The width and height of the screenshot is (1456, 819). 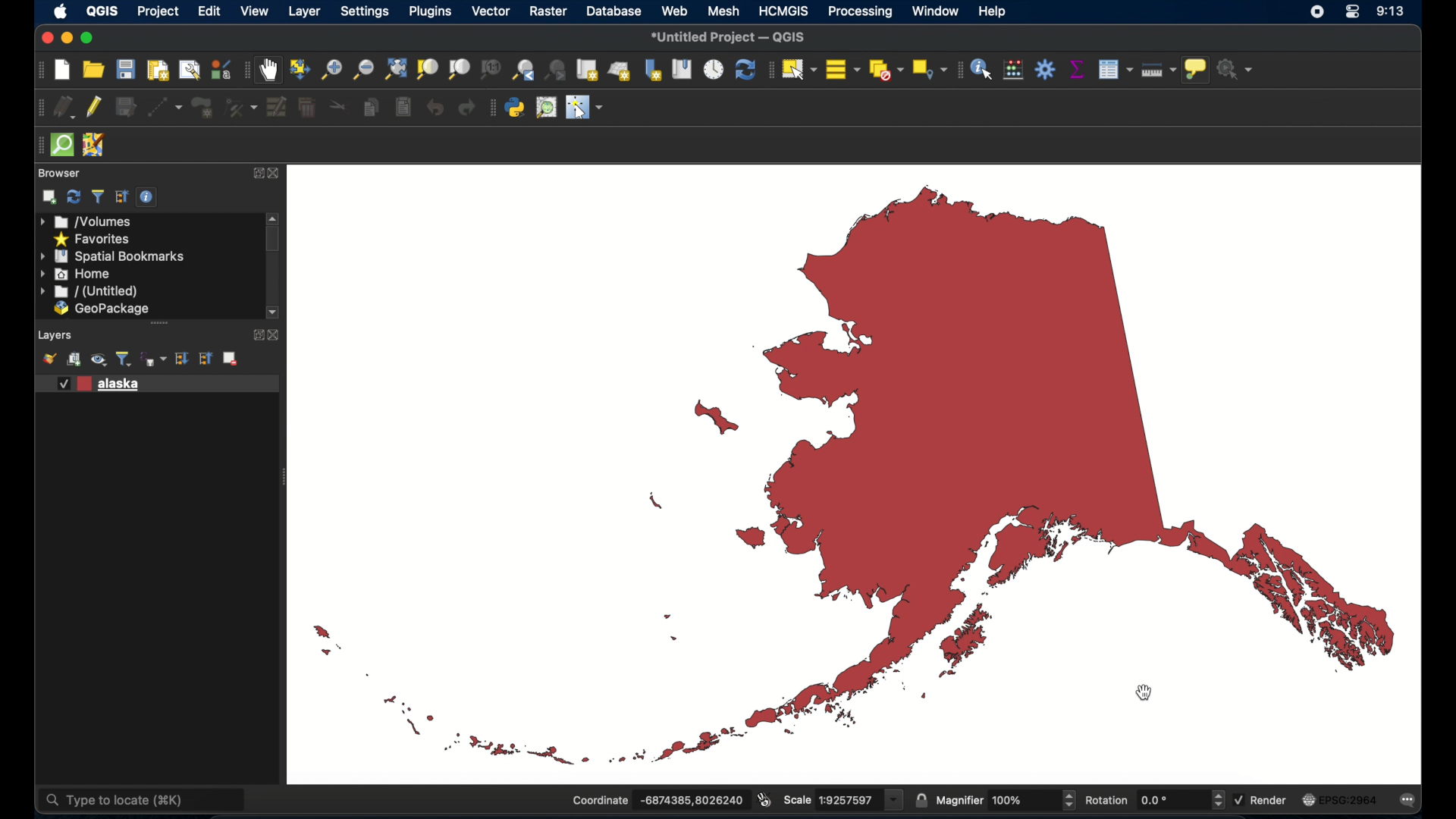 What do you see at coordinates (744, 69) in the screenshot?
I see `refresh` at bounding box center [744, 69].